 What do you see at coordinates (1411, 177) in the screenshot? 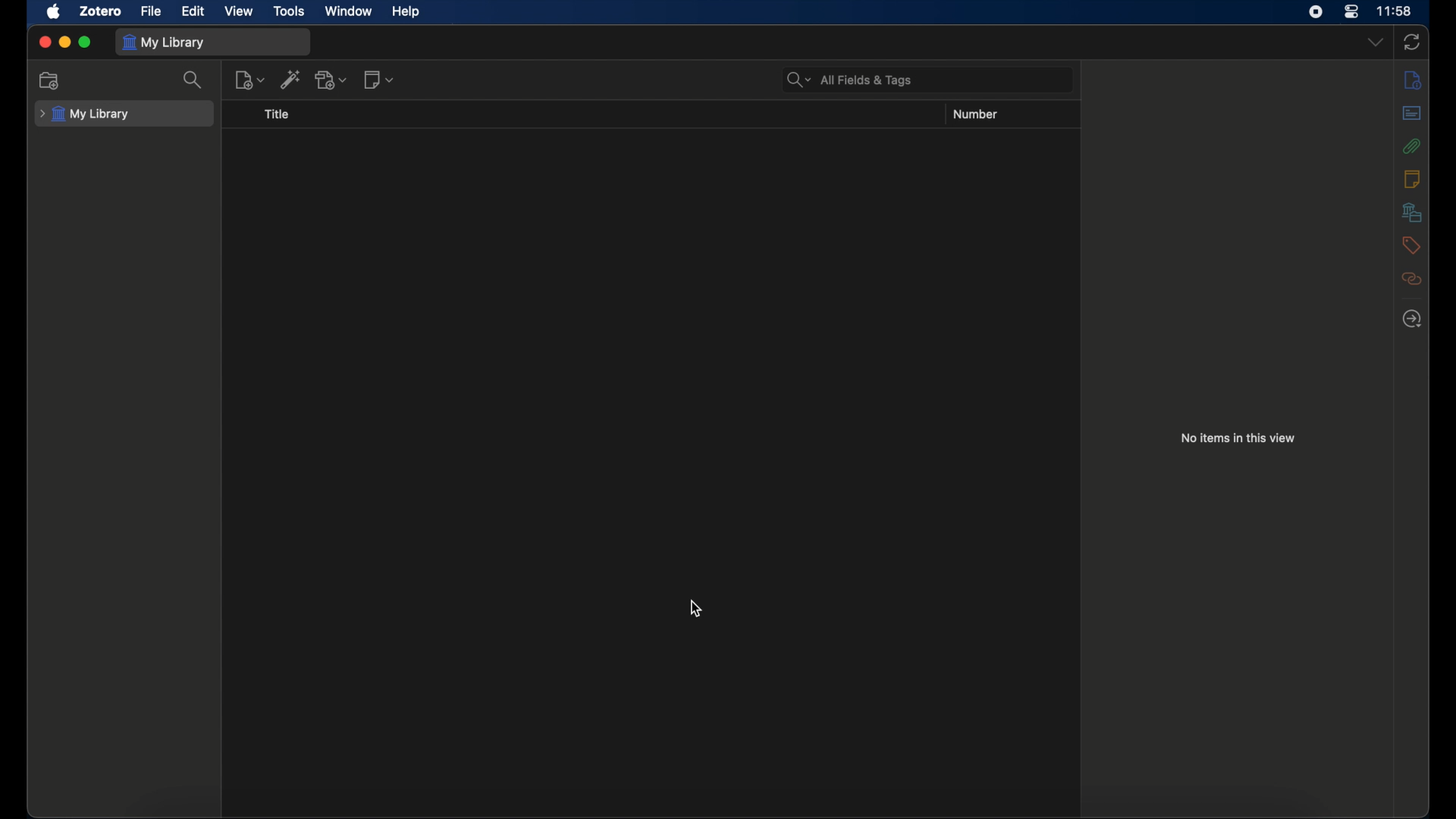
I see `notes` at bounding box center [1411, 177].